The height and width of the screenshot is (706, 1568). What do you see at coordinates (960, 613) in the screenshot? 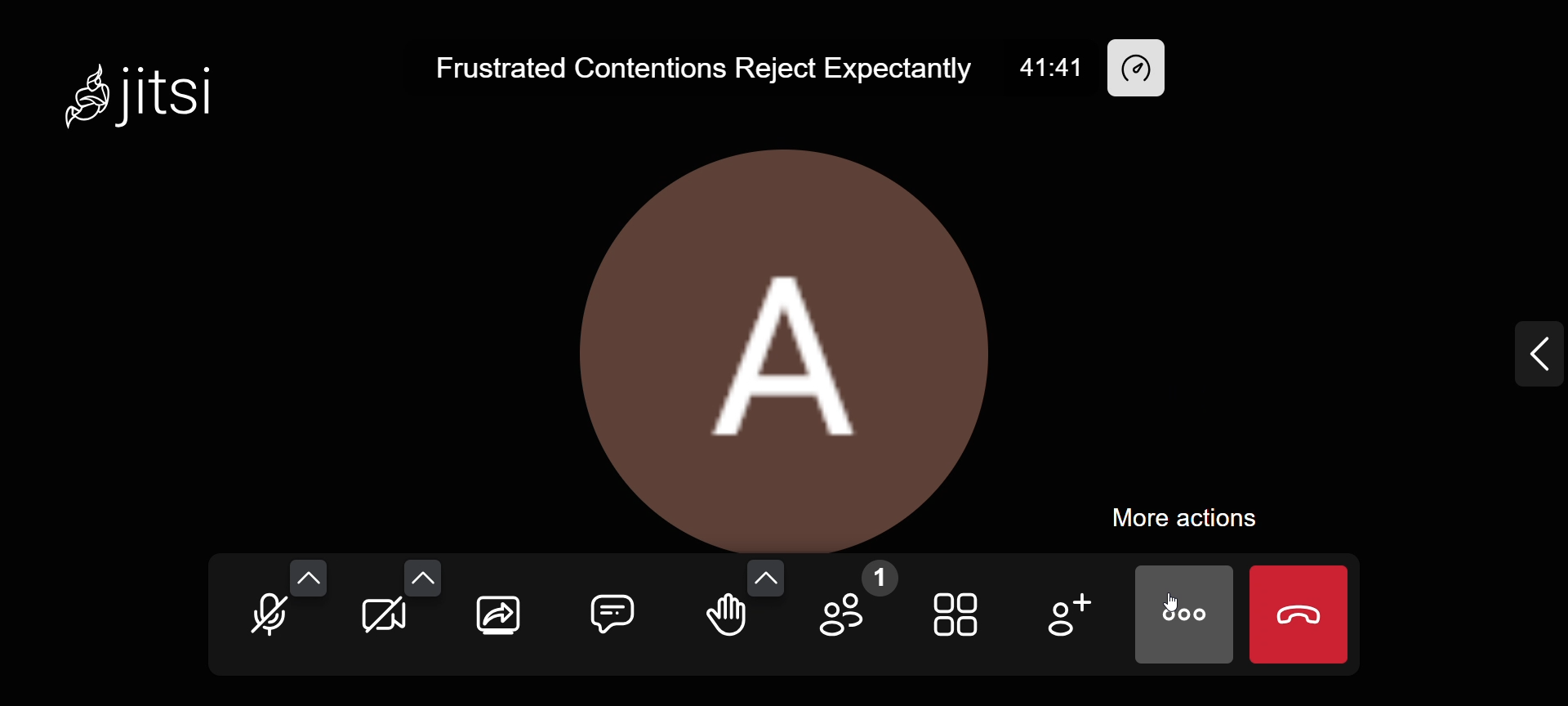
I see `toggle view` at bounding box center [960, 613].